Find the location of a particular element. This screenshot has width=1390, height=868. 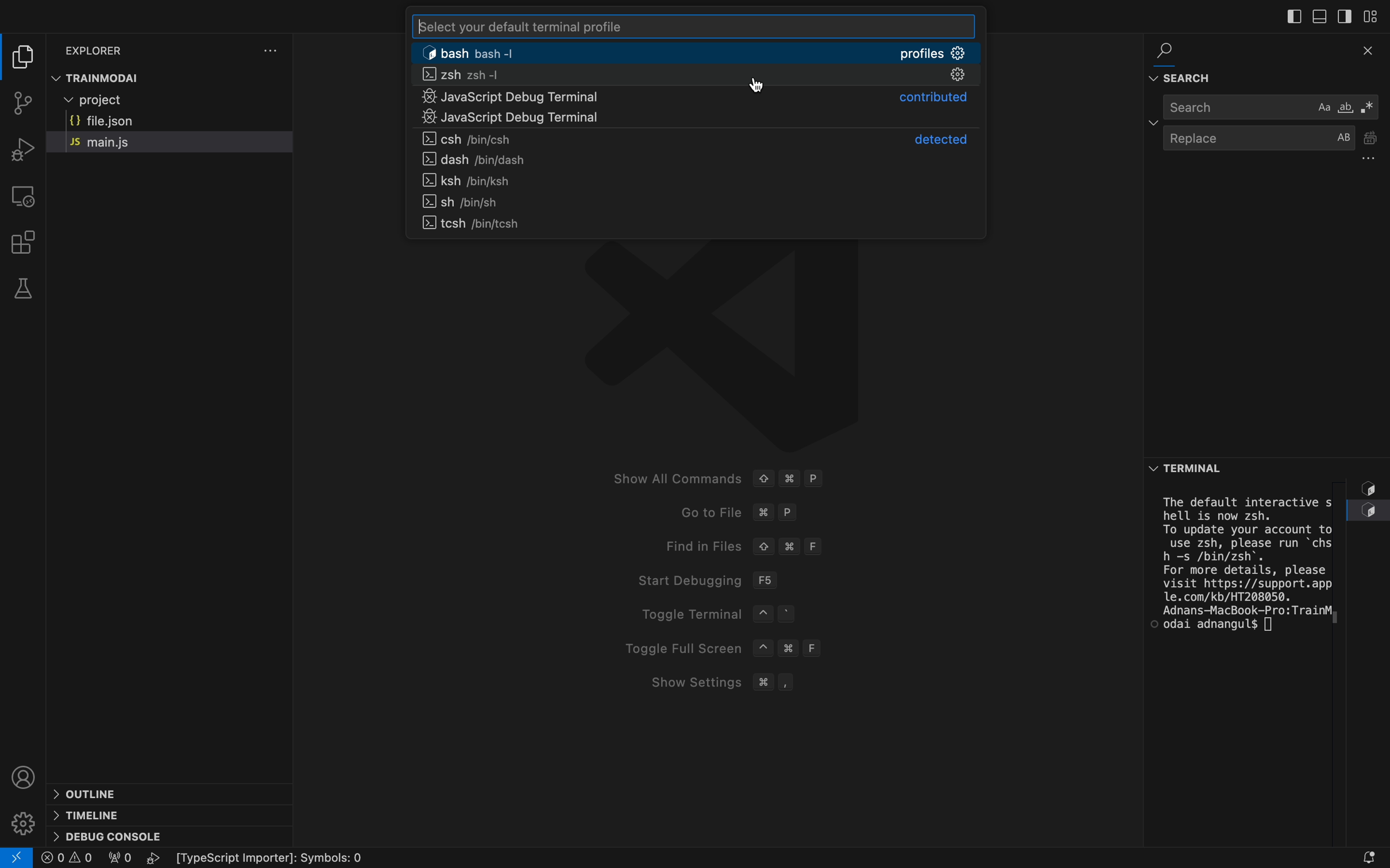

file json is located at coordinates (115, 121).